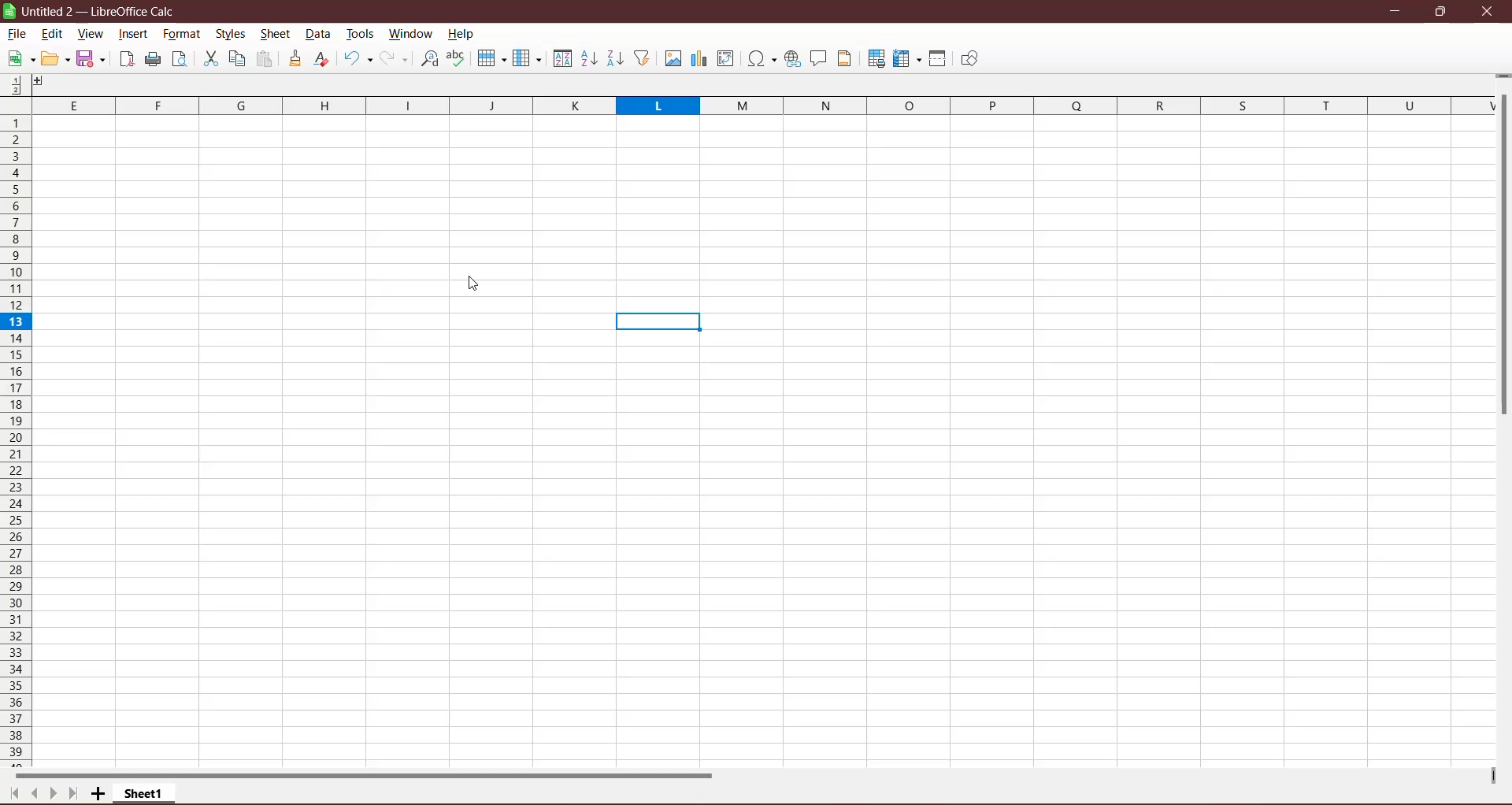  Describe the element at coordinates (296, 58) in the screenshot. I see `Clone Formatting` at that location.